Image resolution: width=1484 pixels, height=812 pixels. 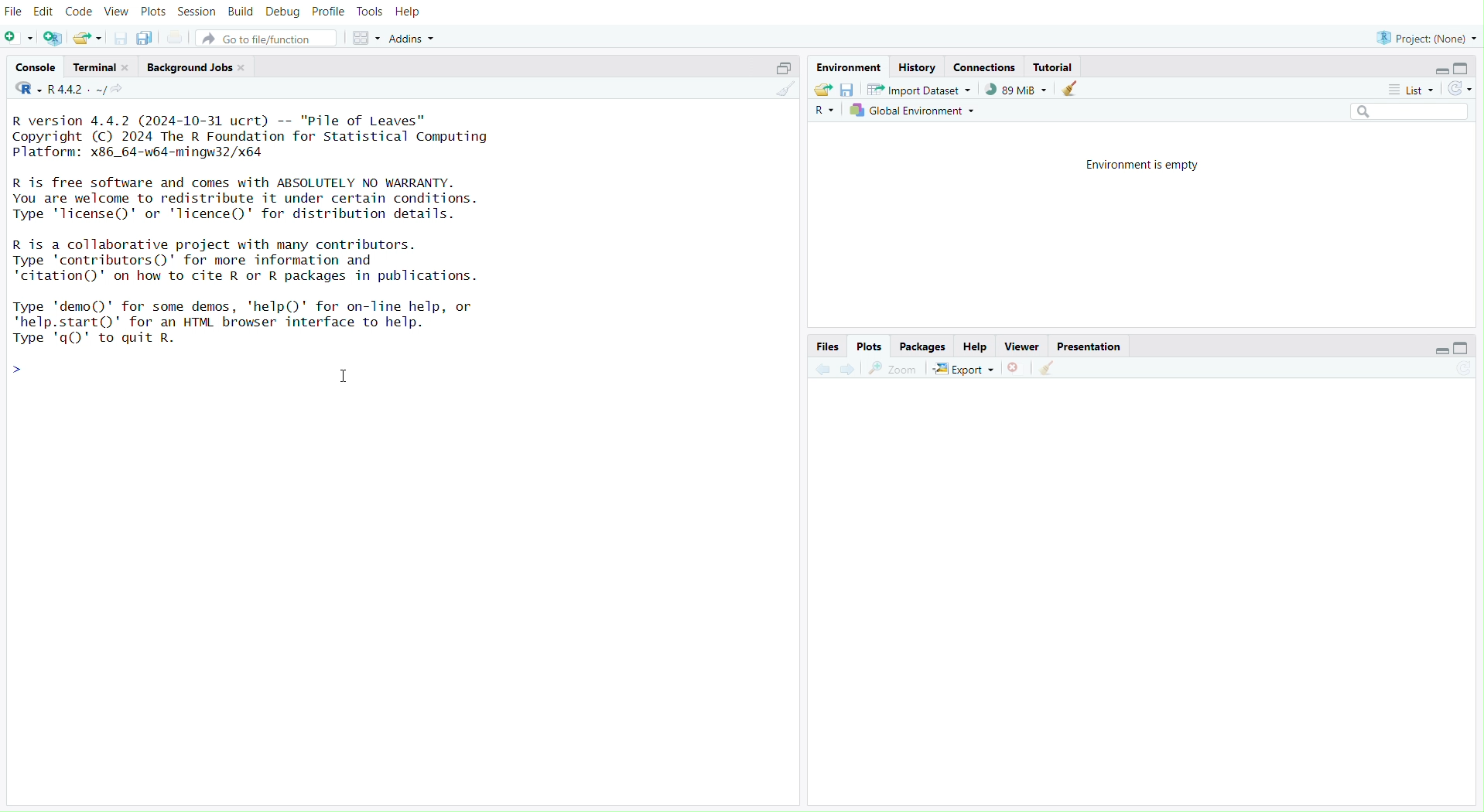 What do you see at coordinates (1050, 366) in the screenshot?
I see `Clear Console (Ctrl + L)` at bounding box center [1050, 366].